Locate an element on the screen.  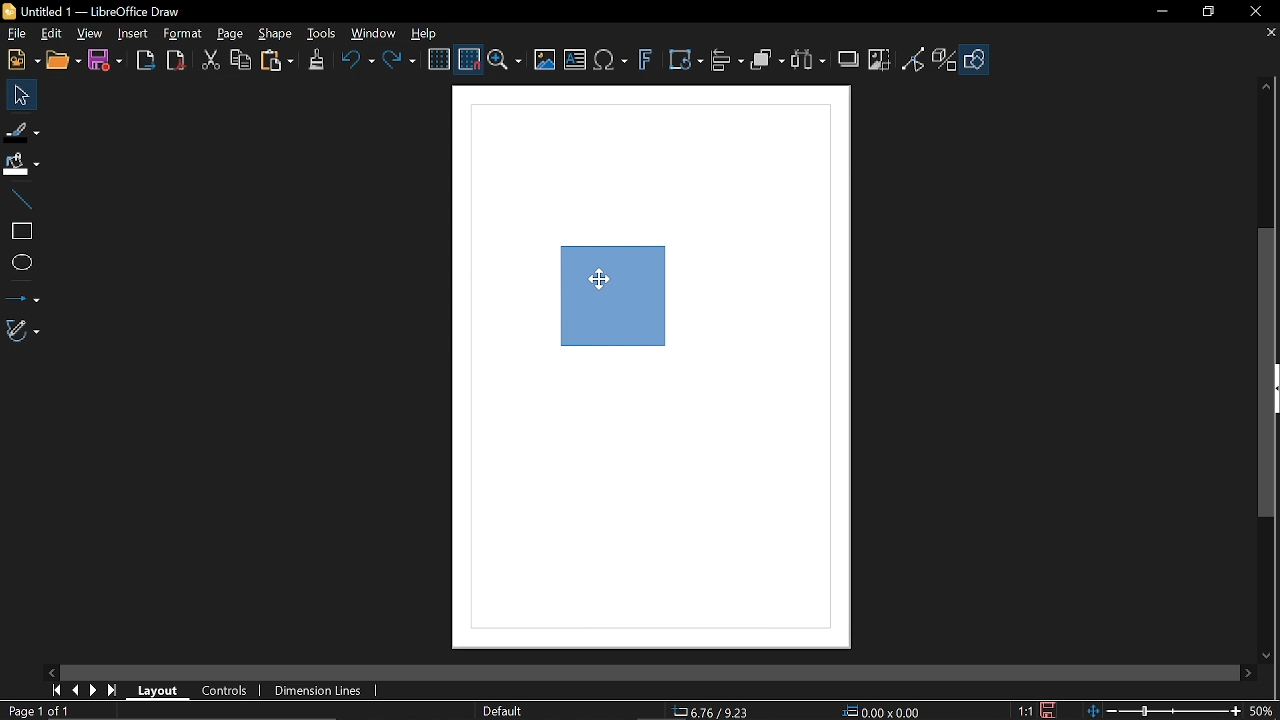
Toggle extrusion is located at coordinates (945, 59).